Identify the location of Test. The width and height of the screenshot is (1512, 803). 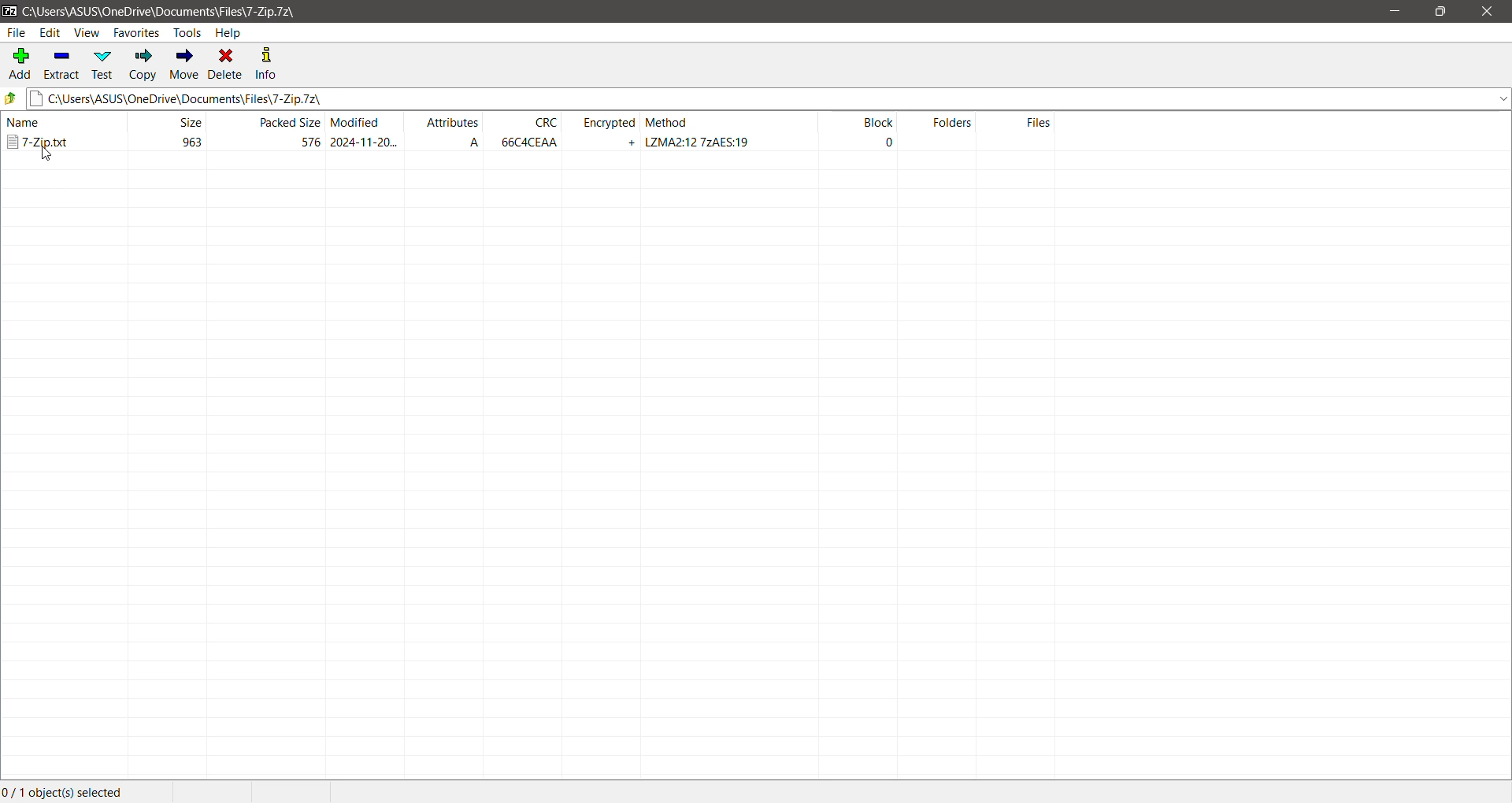
(102, 65).